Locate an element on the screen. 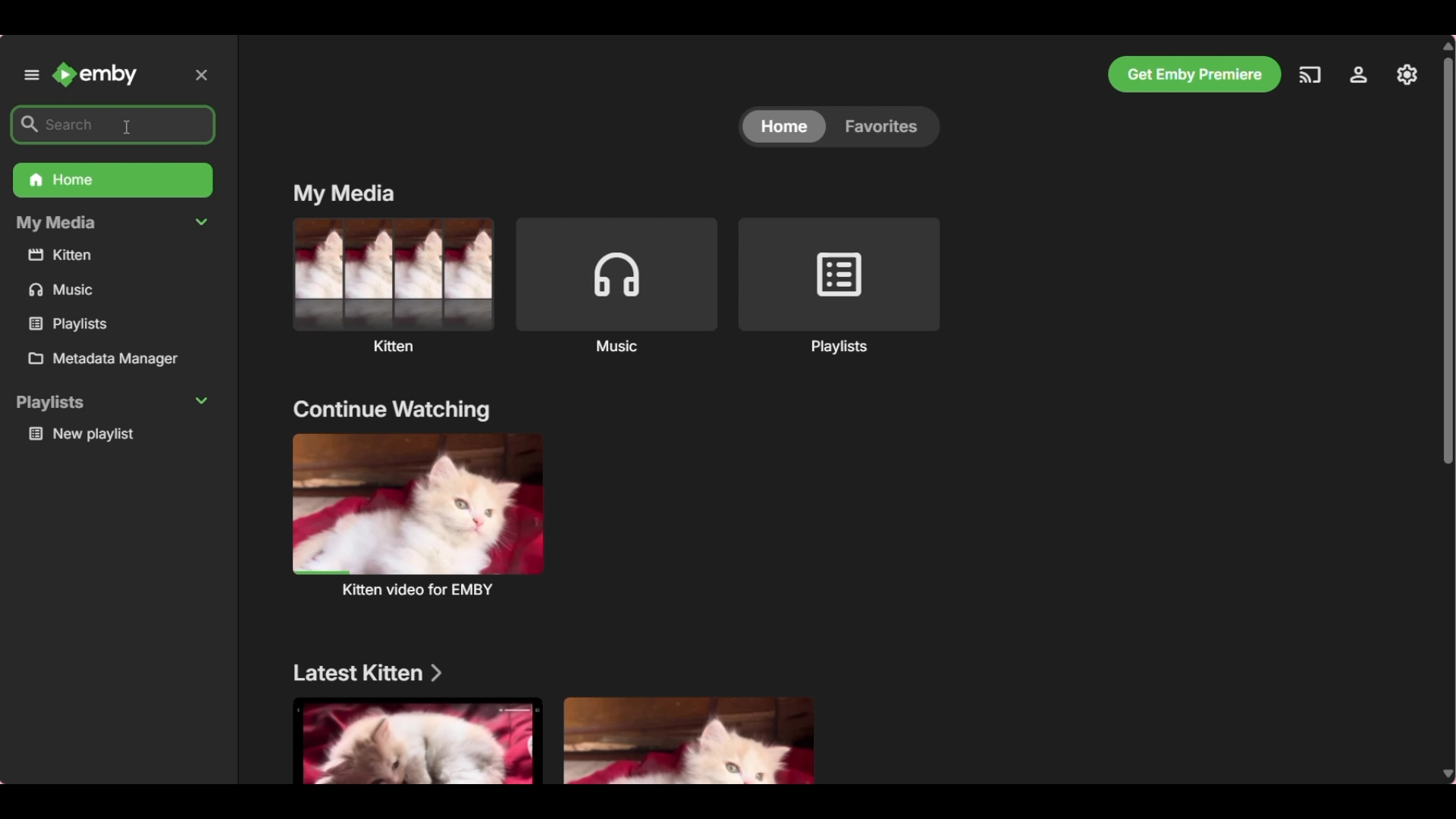 This screenshot has height=819, width=1456. Close is located at coordinates (206, 73).